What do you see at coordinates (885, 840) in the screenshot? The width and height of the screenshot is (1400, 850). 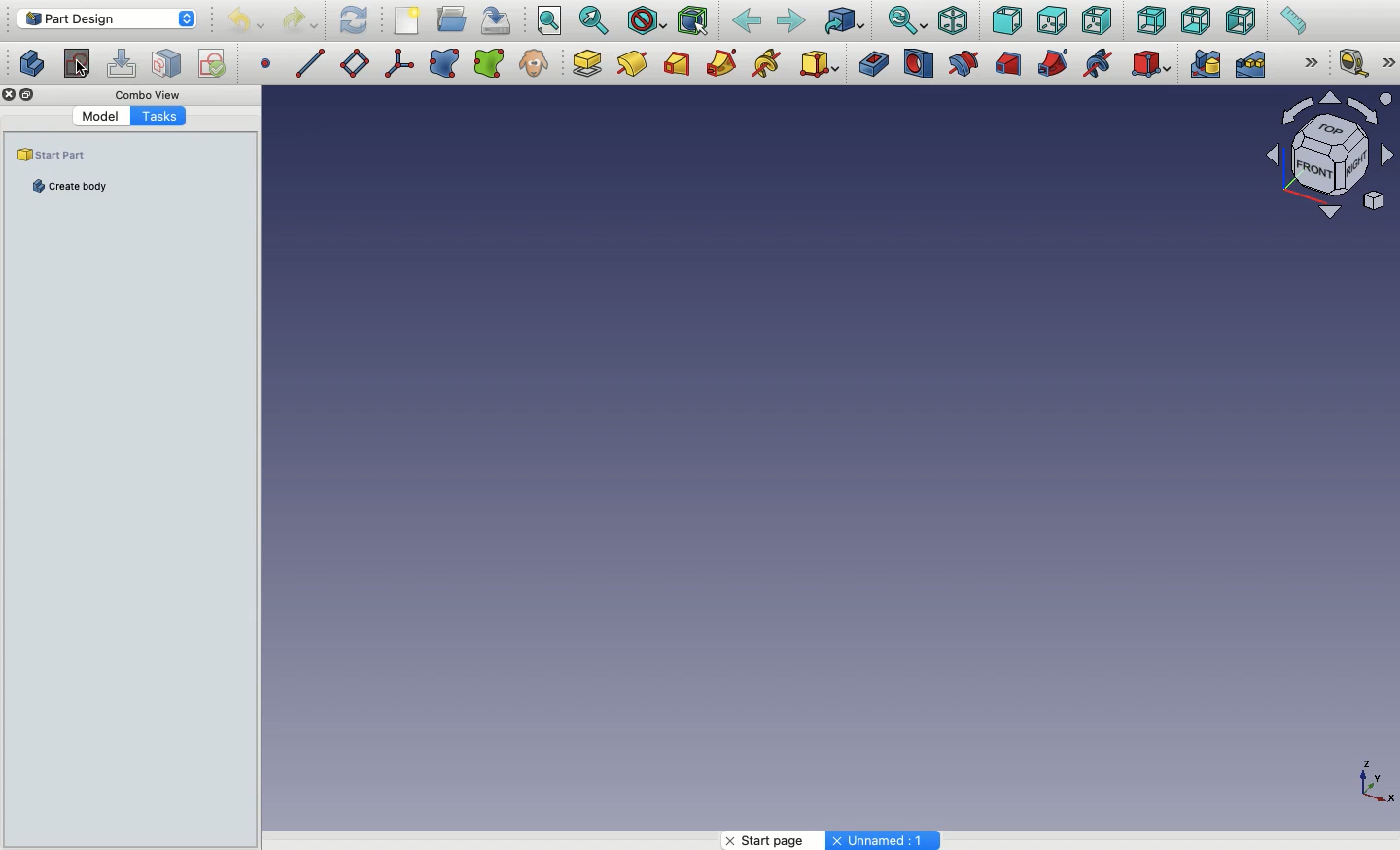 I see `Unnamed: 1` at bounding box center [885, 840].